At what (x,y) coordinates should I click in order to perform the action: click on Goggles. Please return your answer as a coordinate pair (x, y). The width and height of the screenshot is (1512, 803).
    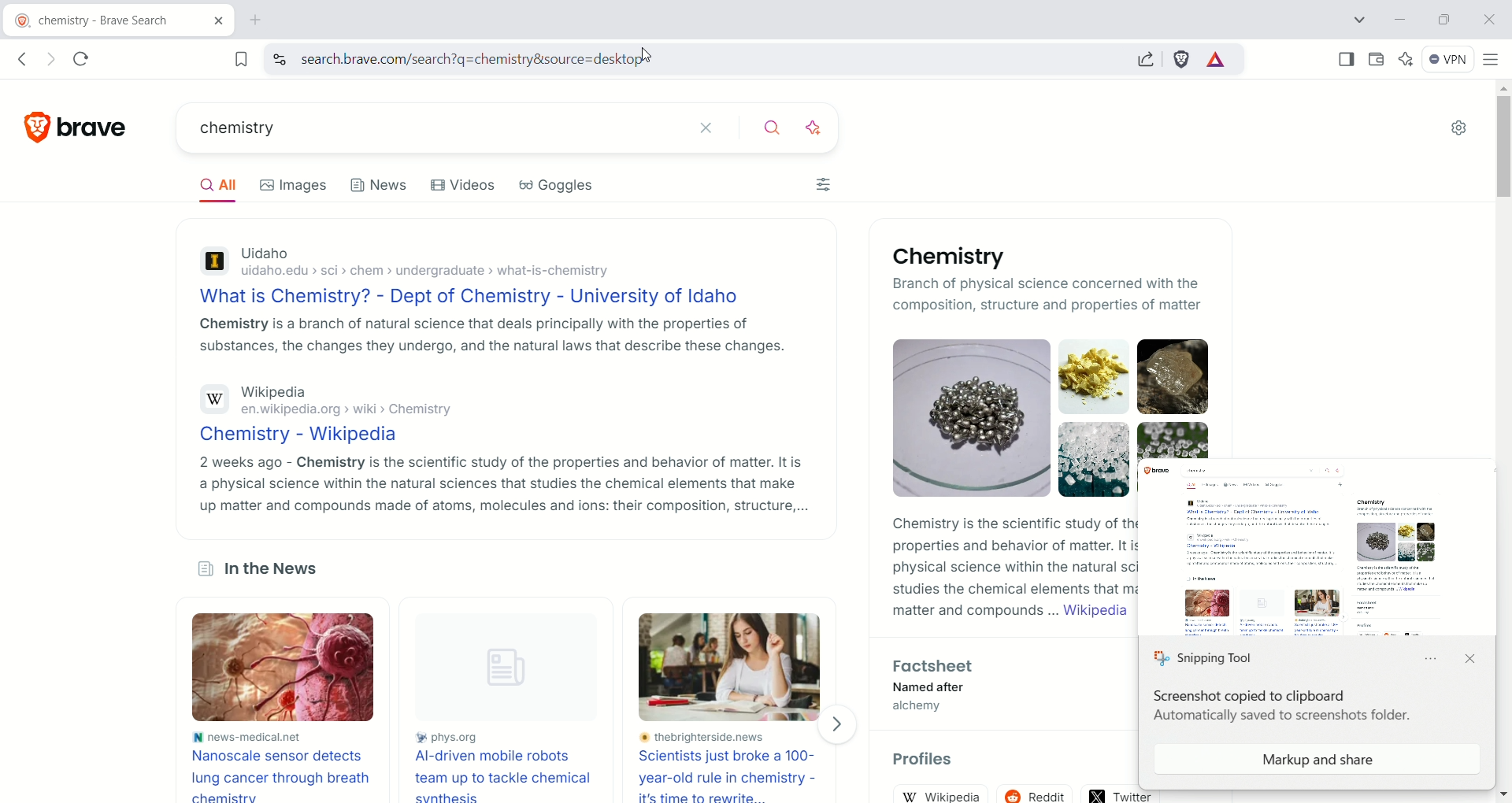
    Looking at the image, I should click on (568, 189).